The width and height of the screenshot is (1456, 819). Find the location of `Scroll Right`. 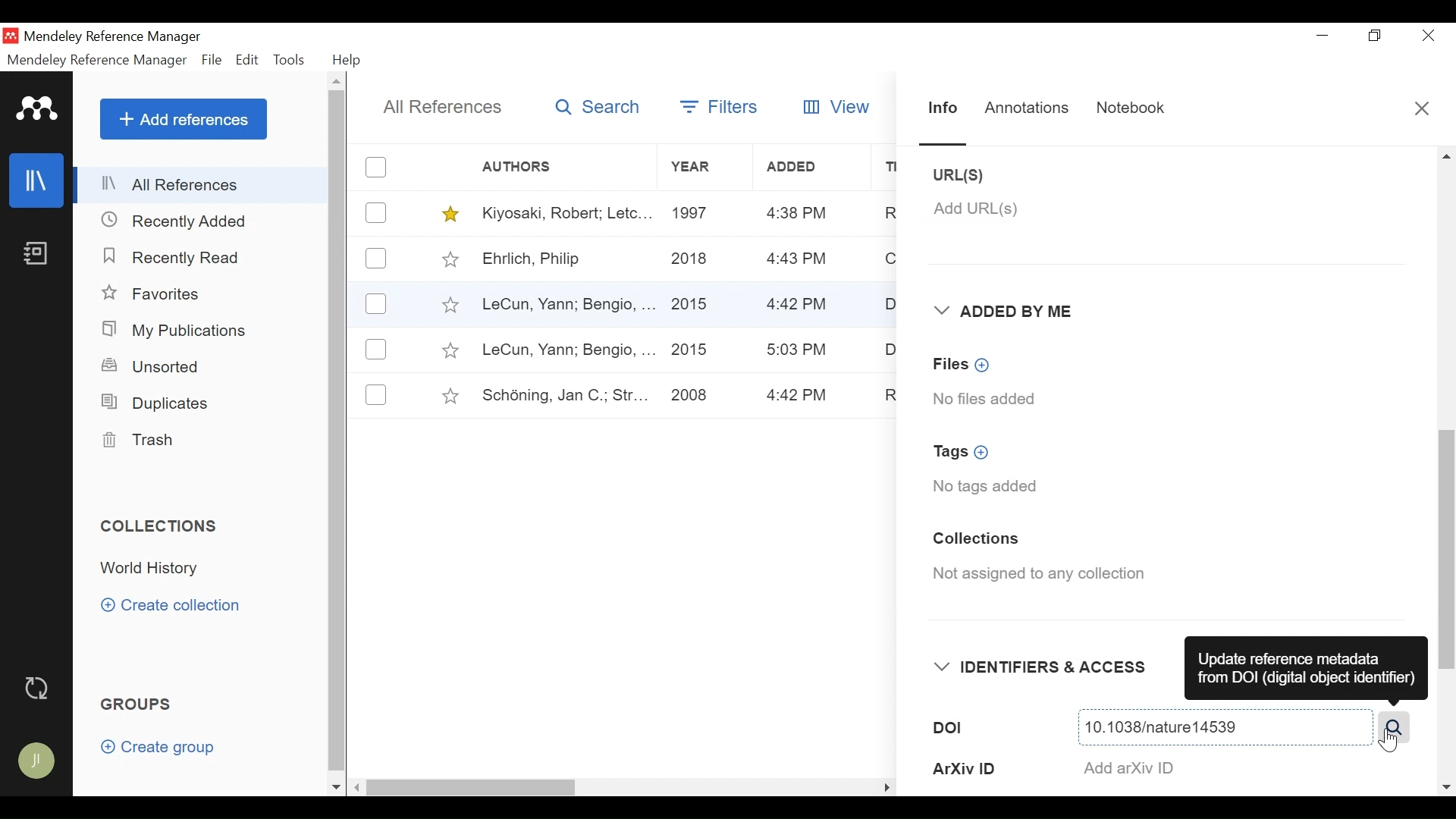

Scroll Right is located at coordinates (1446, 787).